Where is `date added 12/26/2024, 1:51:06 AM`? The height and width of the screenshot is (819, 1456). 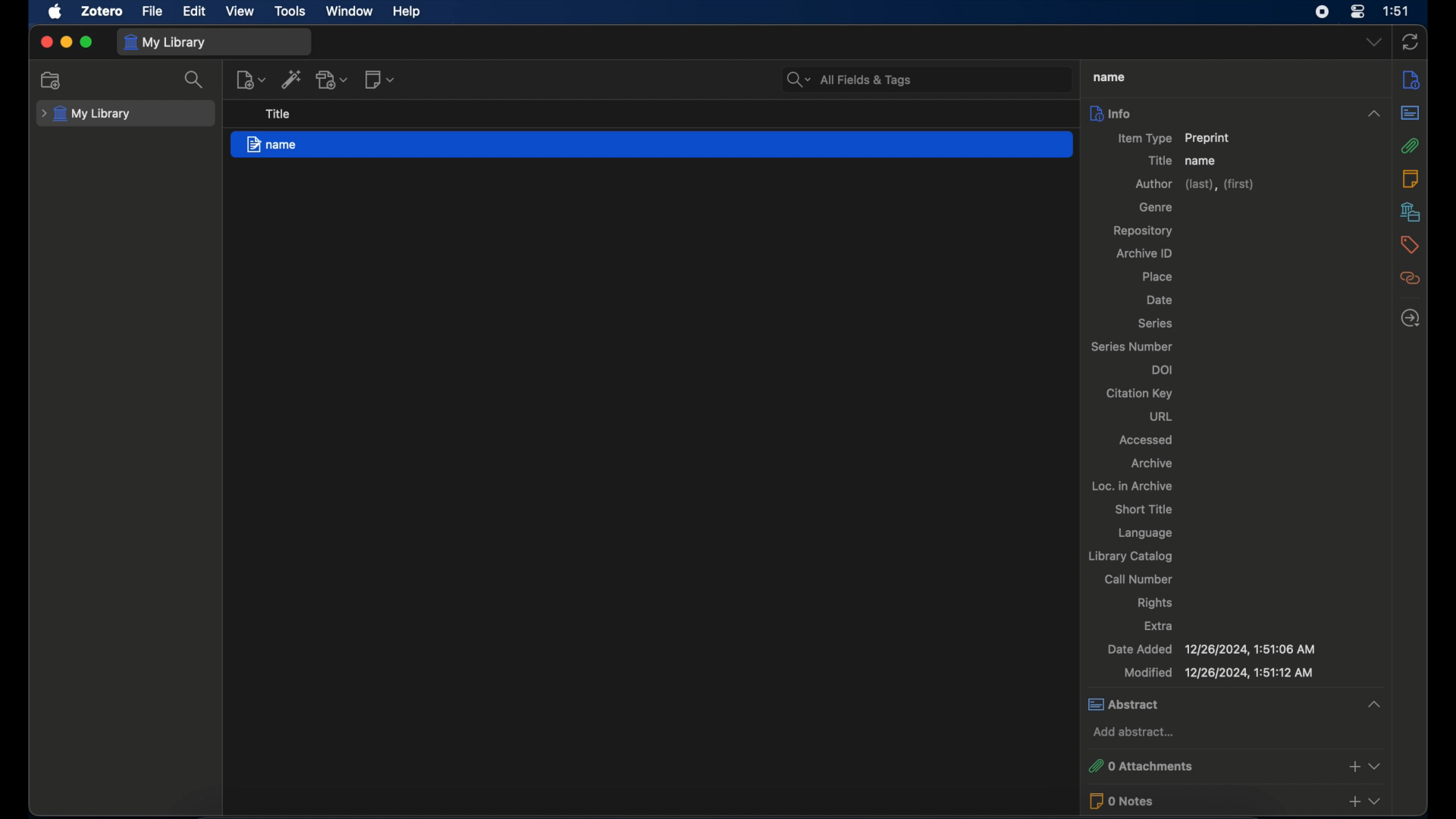
date added 12/26/2024, 1:51:06 AM is located at coordinates (1211, 649).